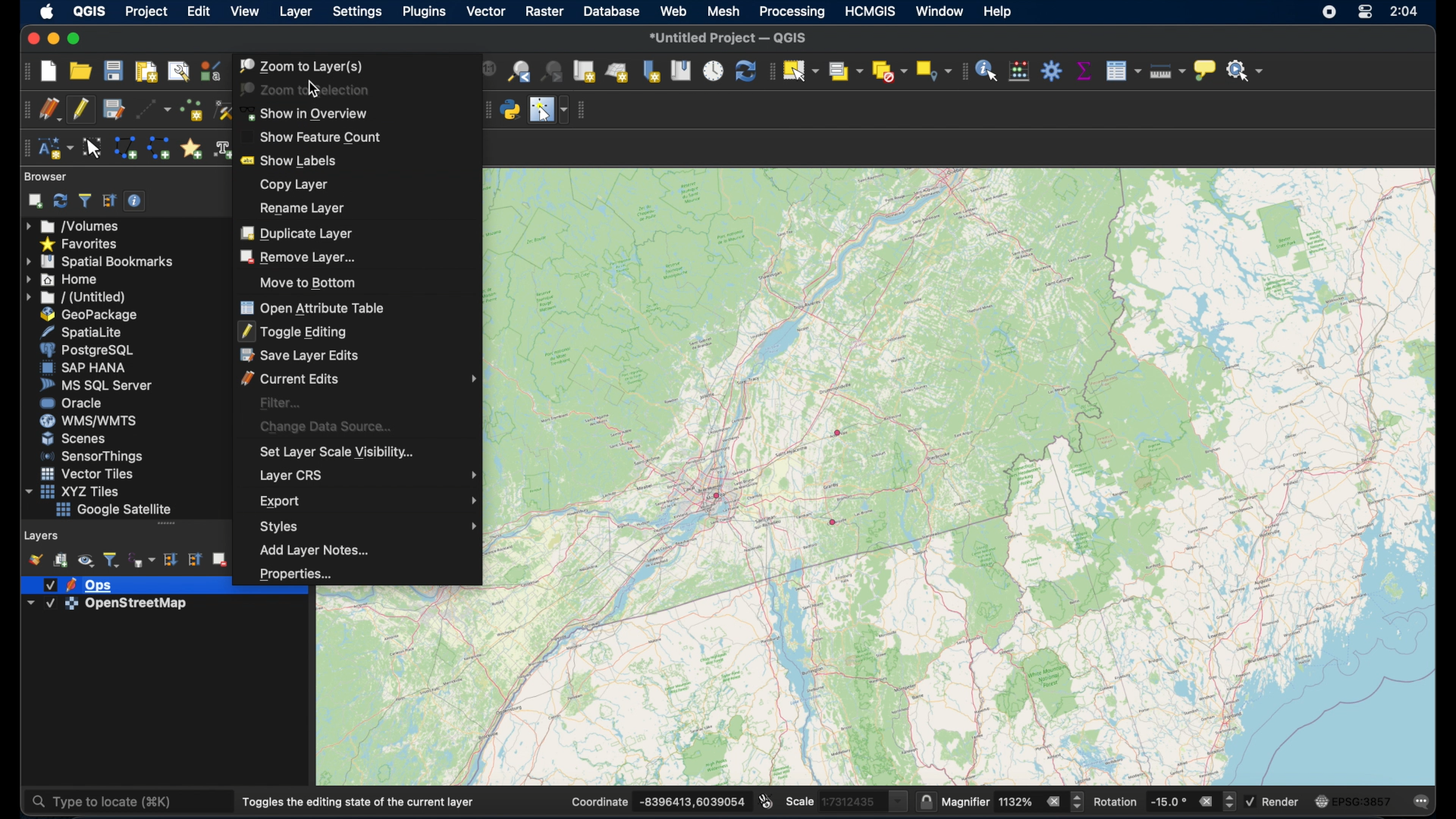 The height and width of the screenshot is (819, 1456). What do you see at coordinates (110, 201) in the screenshot?
I see `collapse all` at bounding box center [110, 201].